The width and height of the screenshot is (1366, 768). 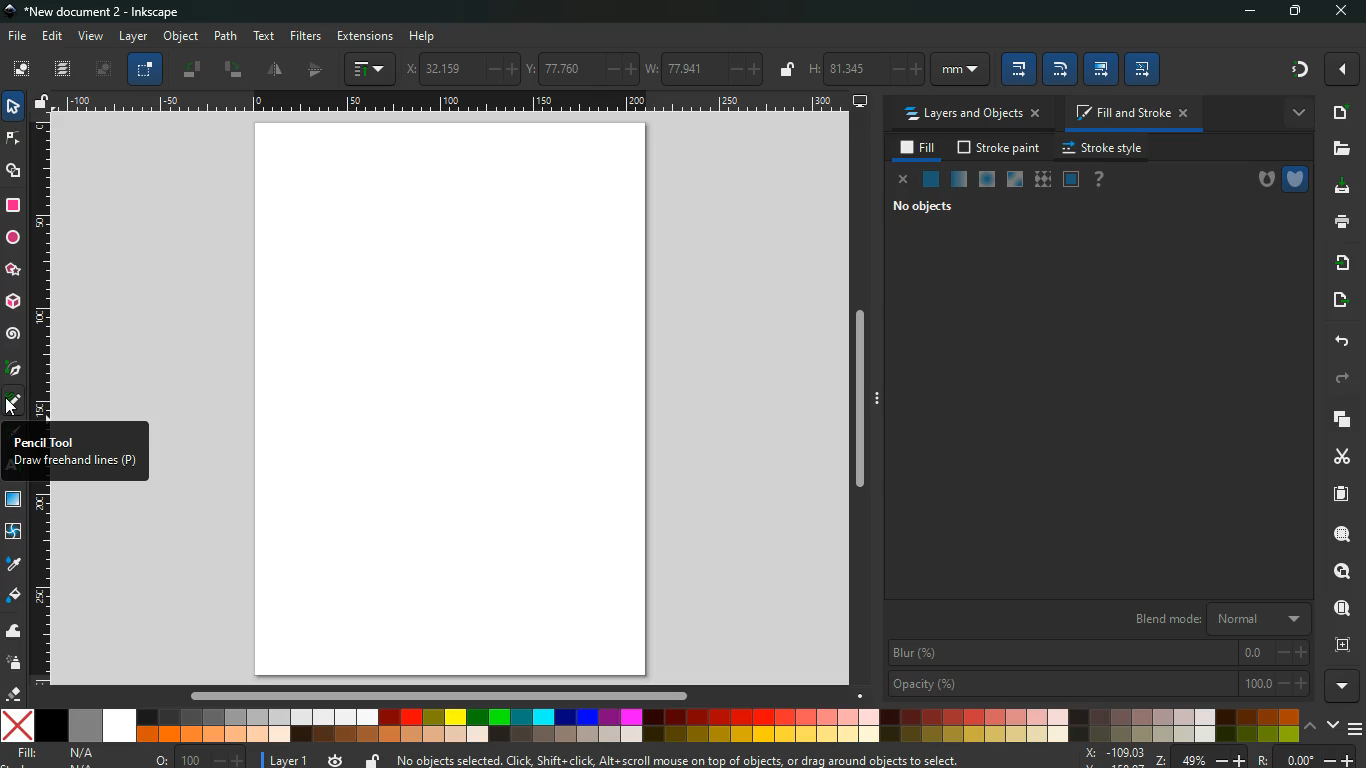 What do you see at coordinates (265, 36) in the screenshot?
I see `text` at bounding box center [265, 36].